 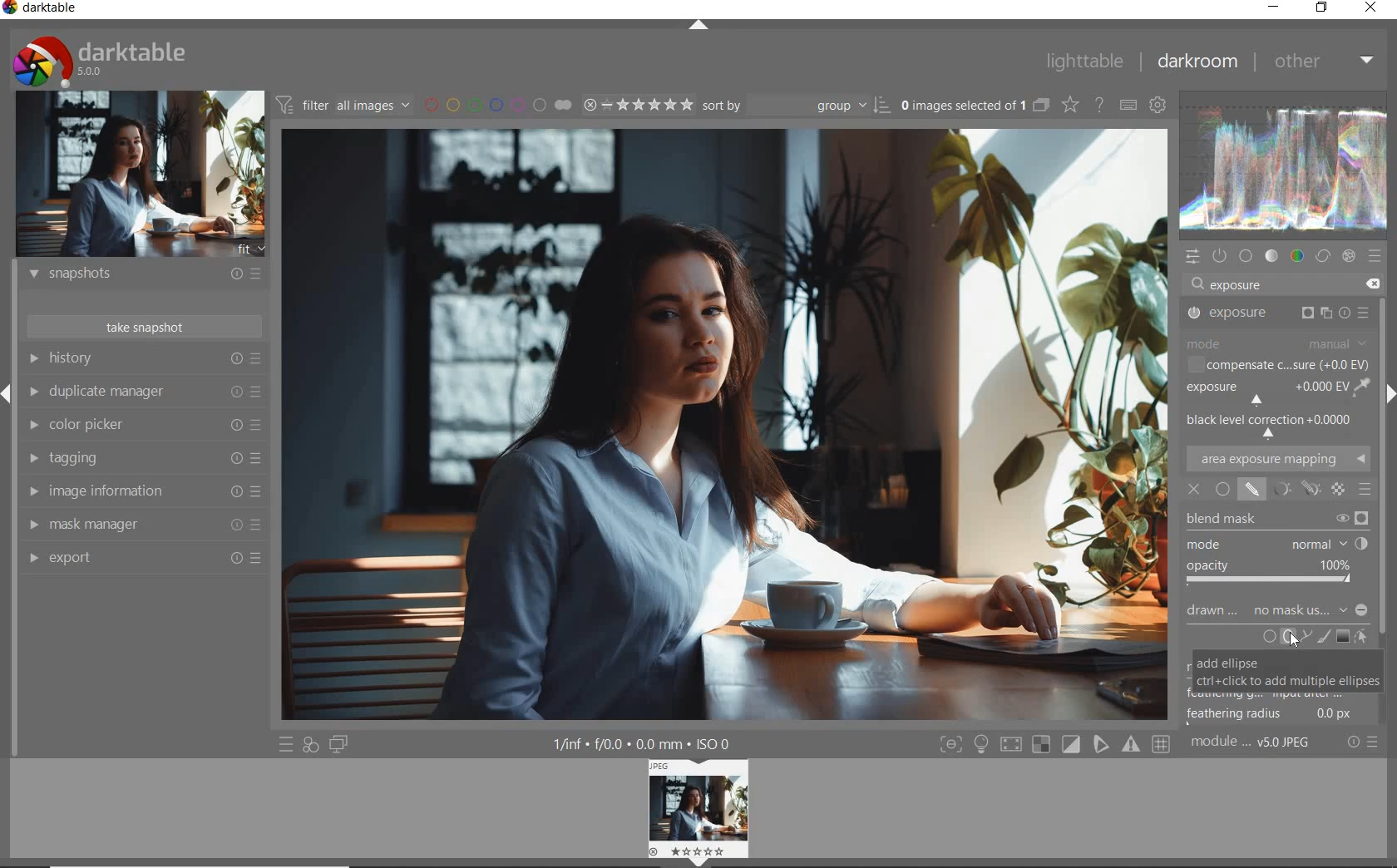 I want to click on base, so click(x=1246, y=256).